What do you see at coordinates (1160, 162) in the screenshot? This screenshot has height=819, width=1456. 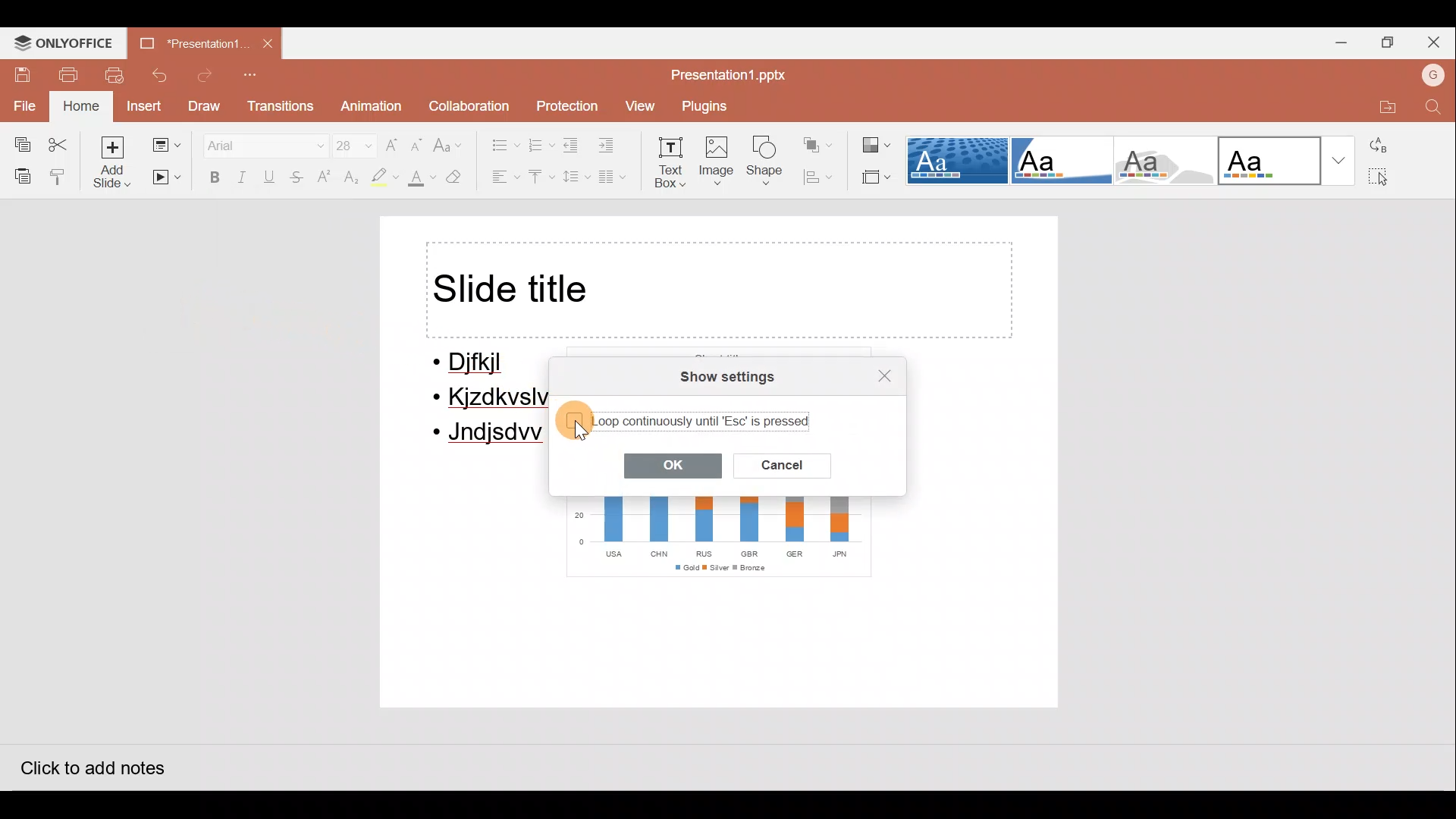 I see `Turtle` at bounding box center [1160, 162].